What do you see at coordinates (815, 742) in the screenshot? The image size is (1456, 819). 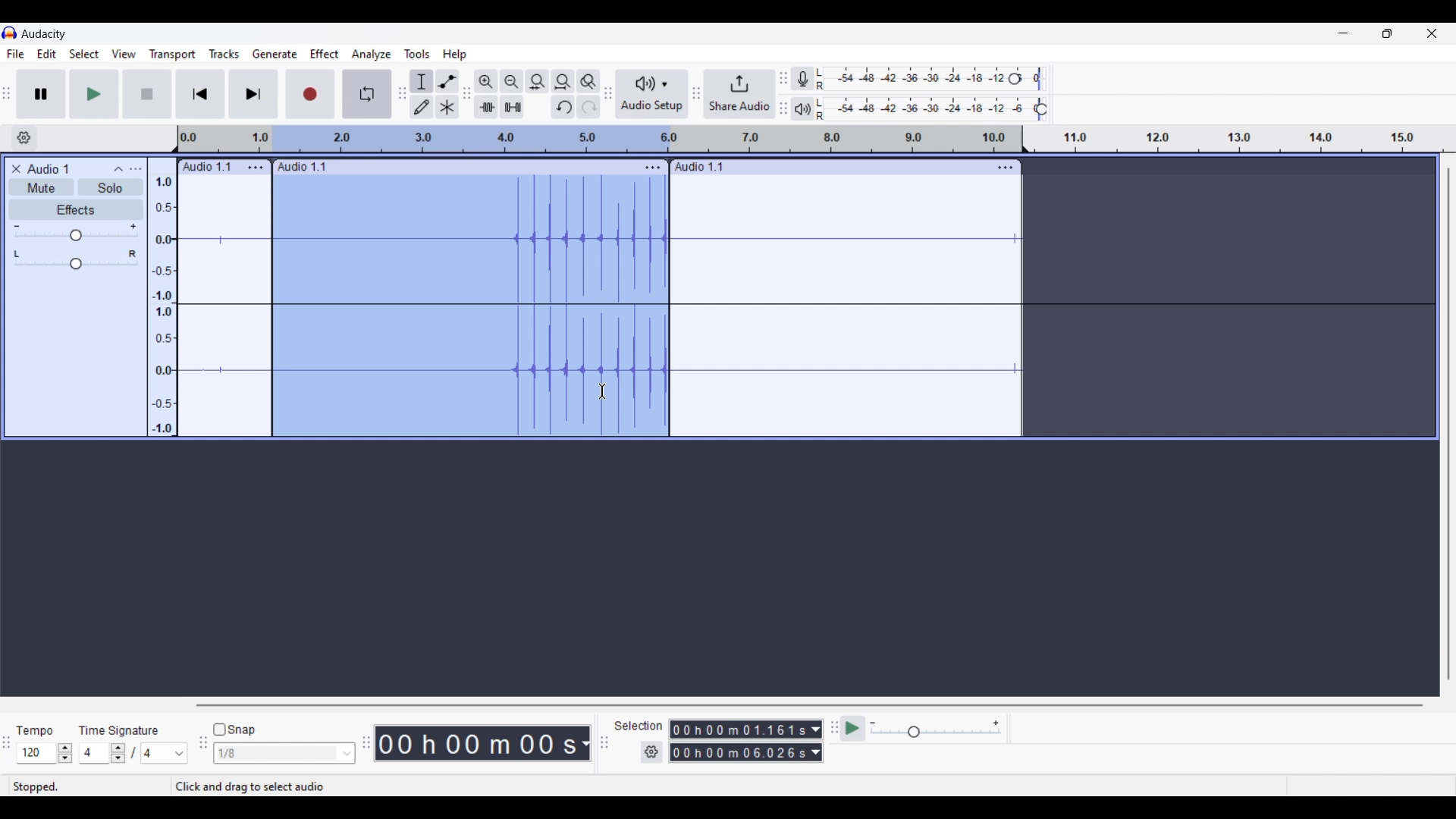 I see `Measurement options of selection duration` at bounding box center [815, 742].